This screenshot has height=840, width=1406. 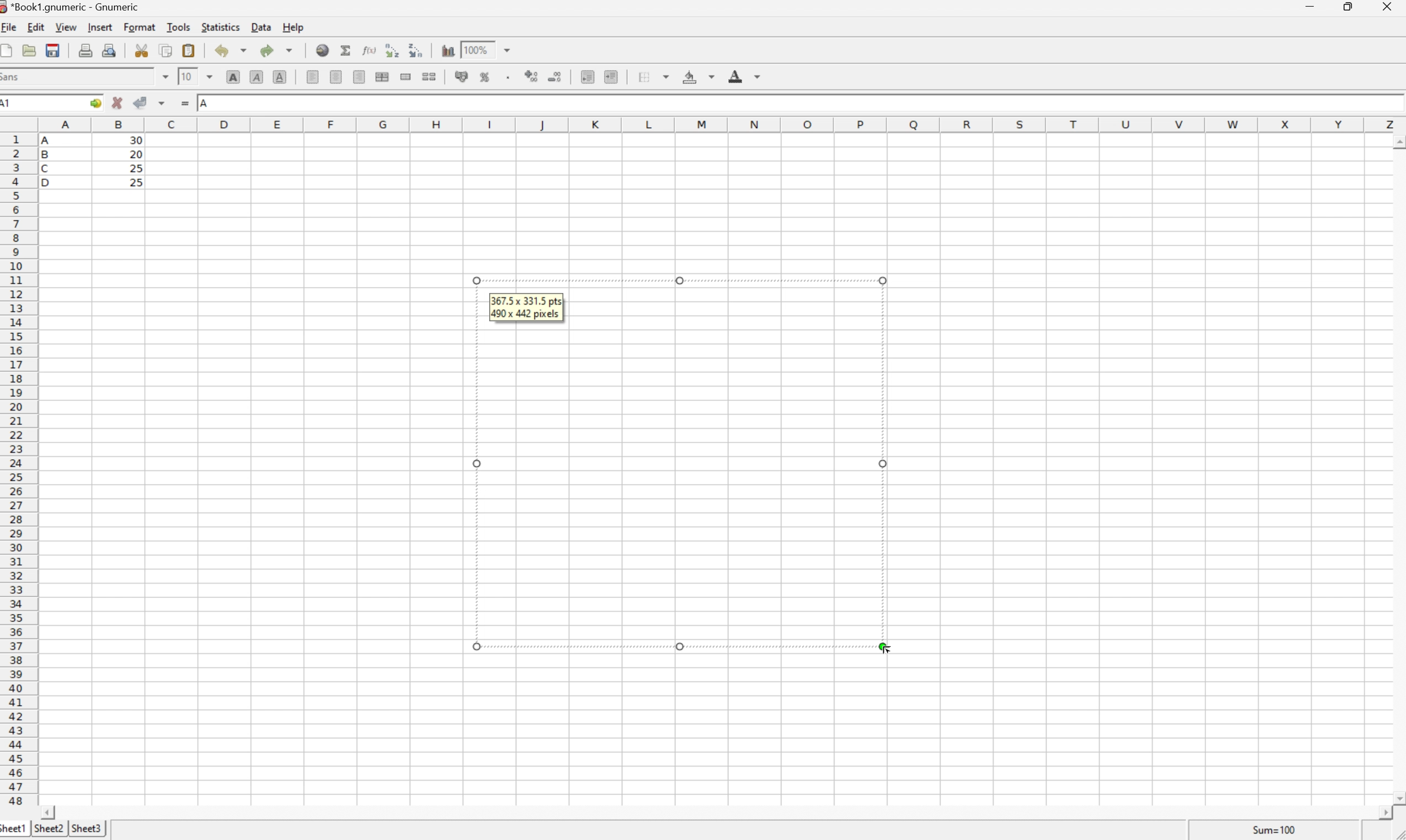 What do you see at coordinates (135, 142) in the screenshot?
I see `30` at bounding box center [135, 142].